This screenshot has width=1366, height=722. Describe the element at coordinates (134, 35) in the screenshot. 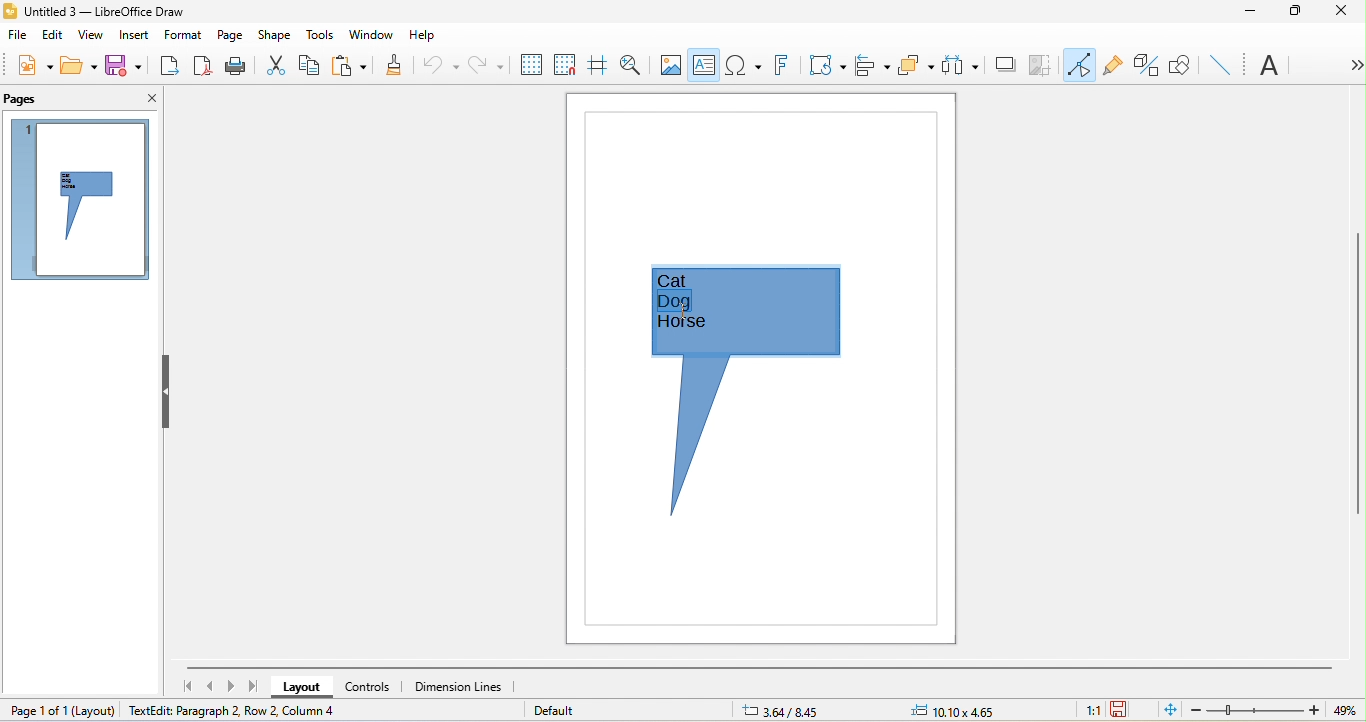

I see `insert` at that location.